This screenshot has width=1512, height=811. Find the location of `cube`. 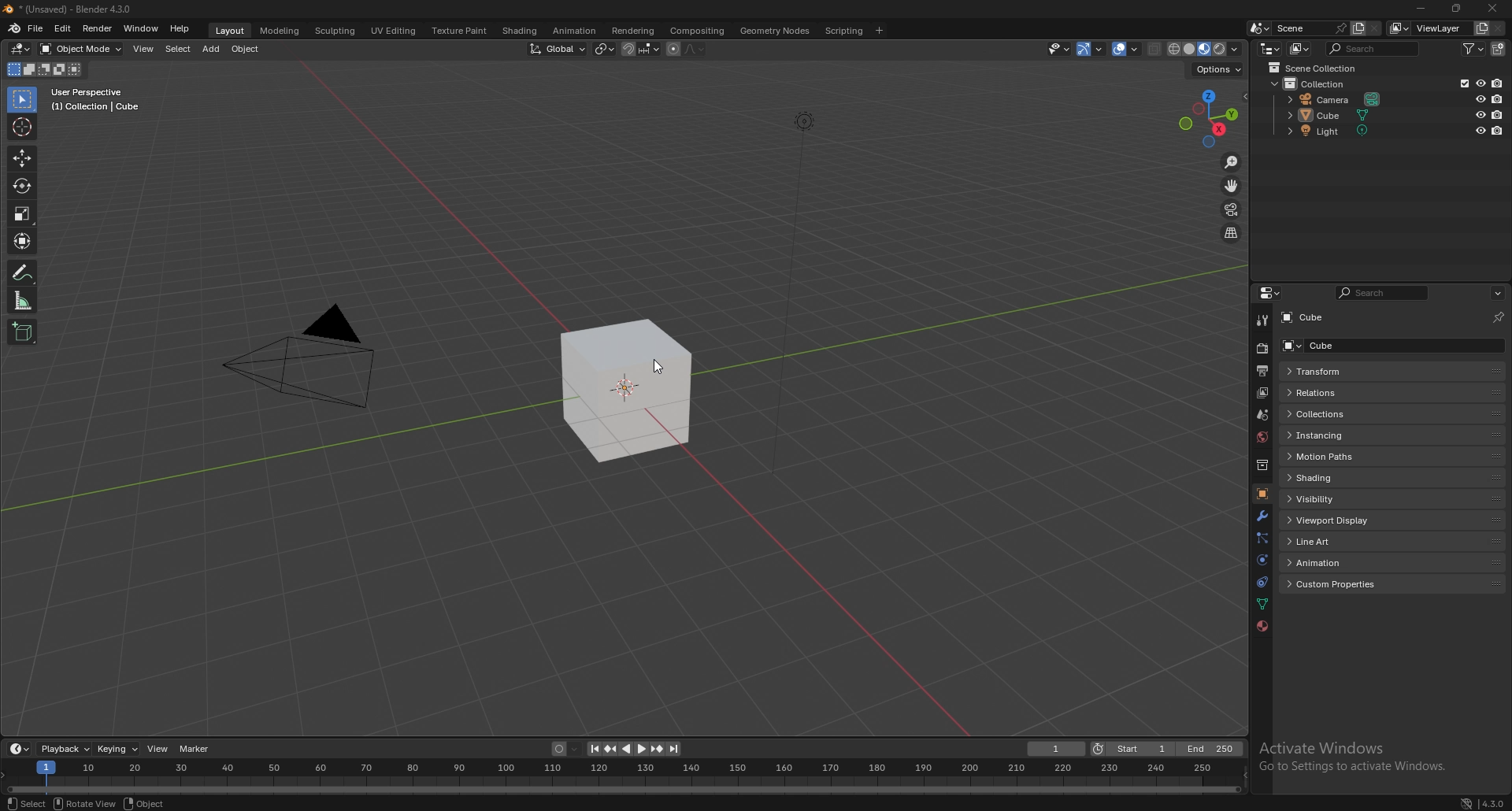

cube is located at coordinates (1358, 346).